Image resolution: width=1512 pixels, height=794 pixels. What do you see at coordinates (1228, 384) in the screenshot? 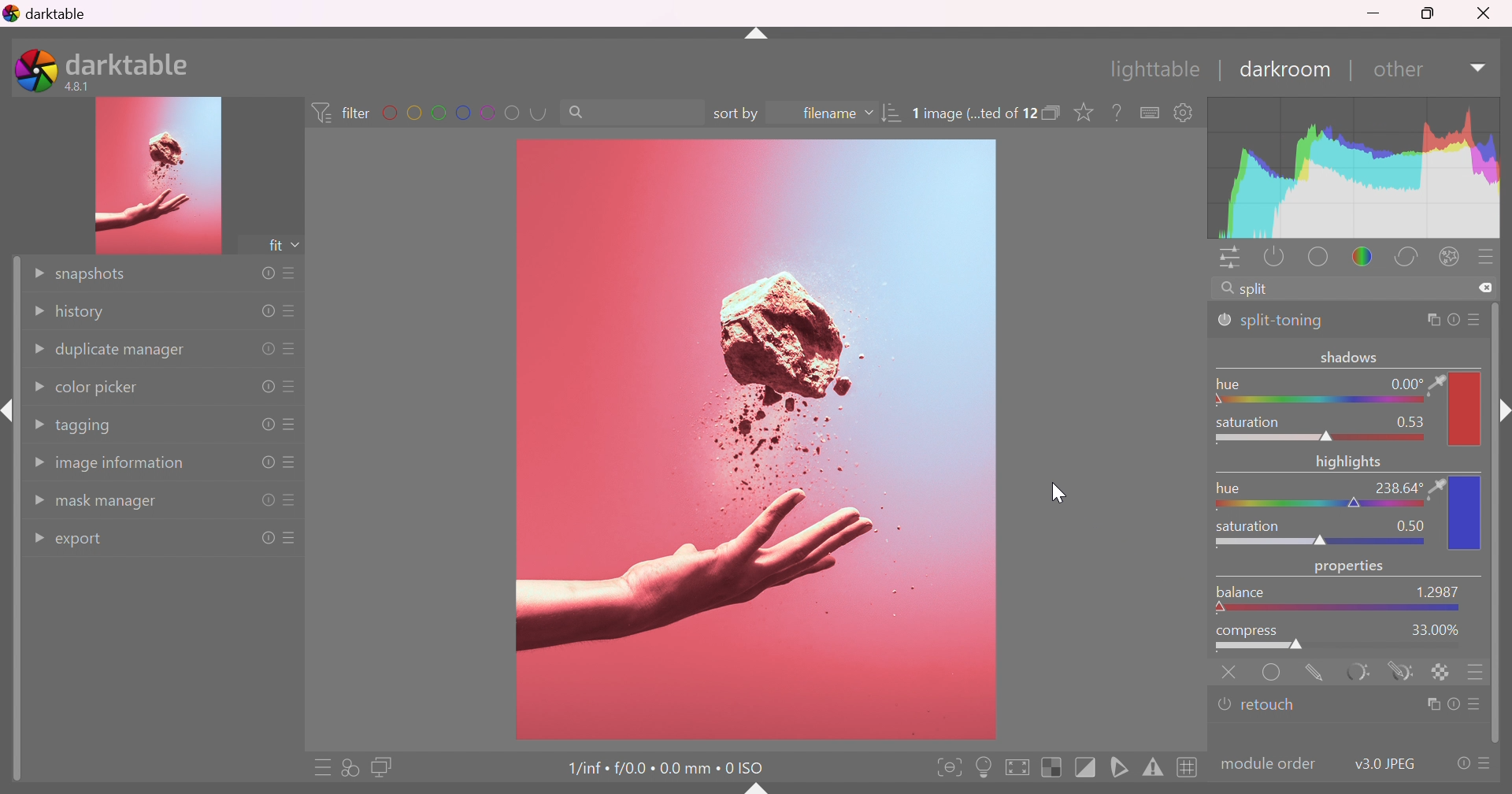
I see `hue` at bounding box center [1228, 384].